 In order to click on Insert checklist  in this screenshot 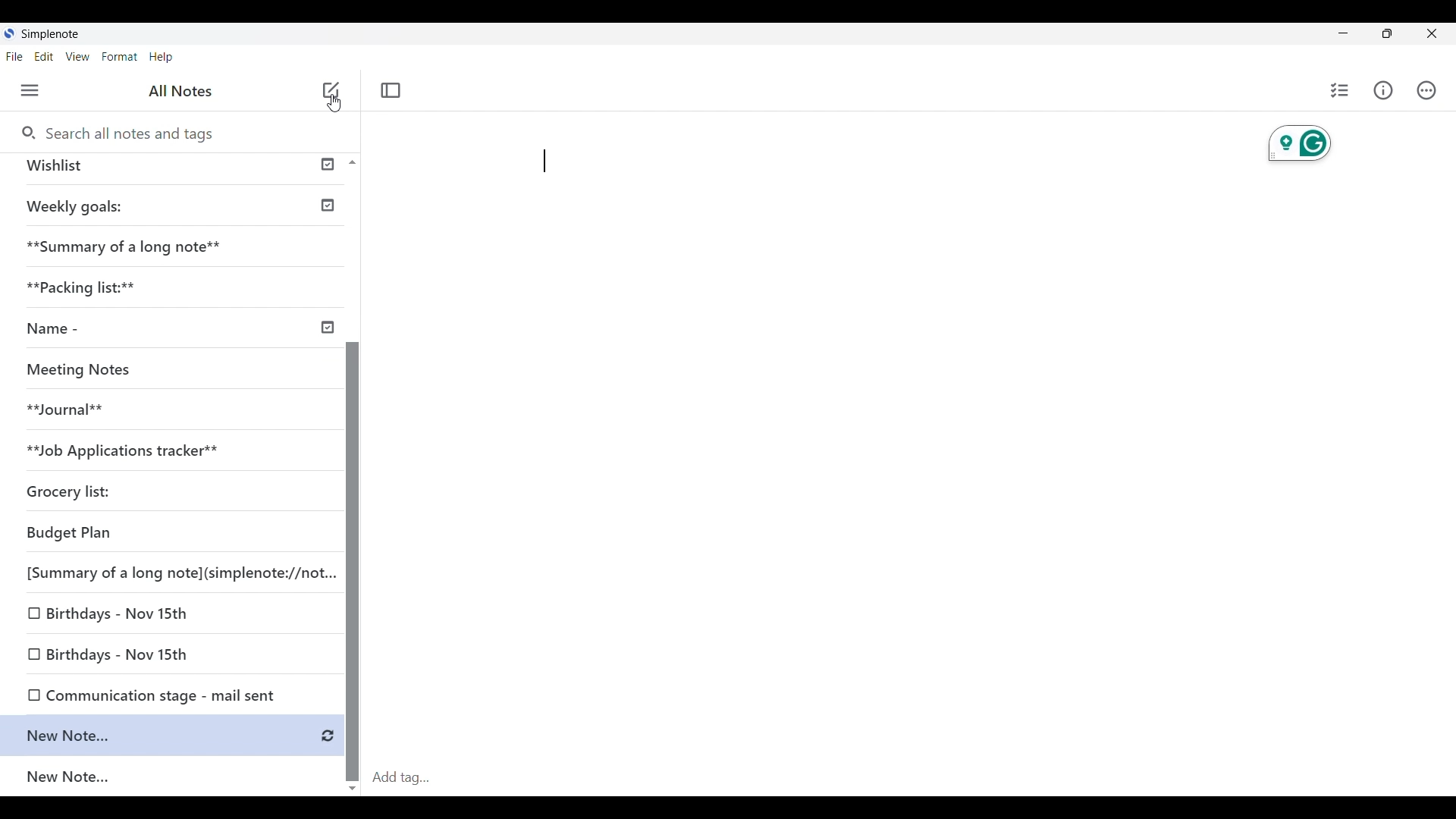, I will do `click(1341, 90)`.